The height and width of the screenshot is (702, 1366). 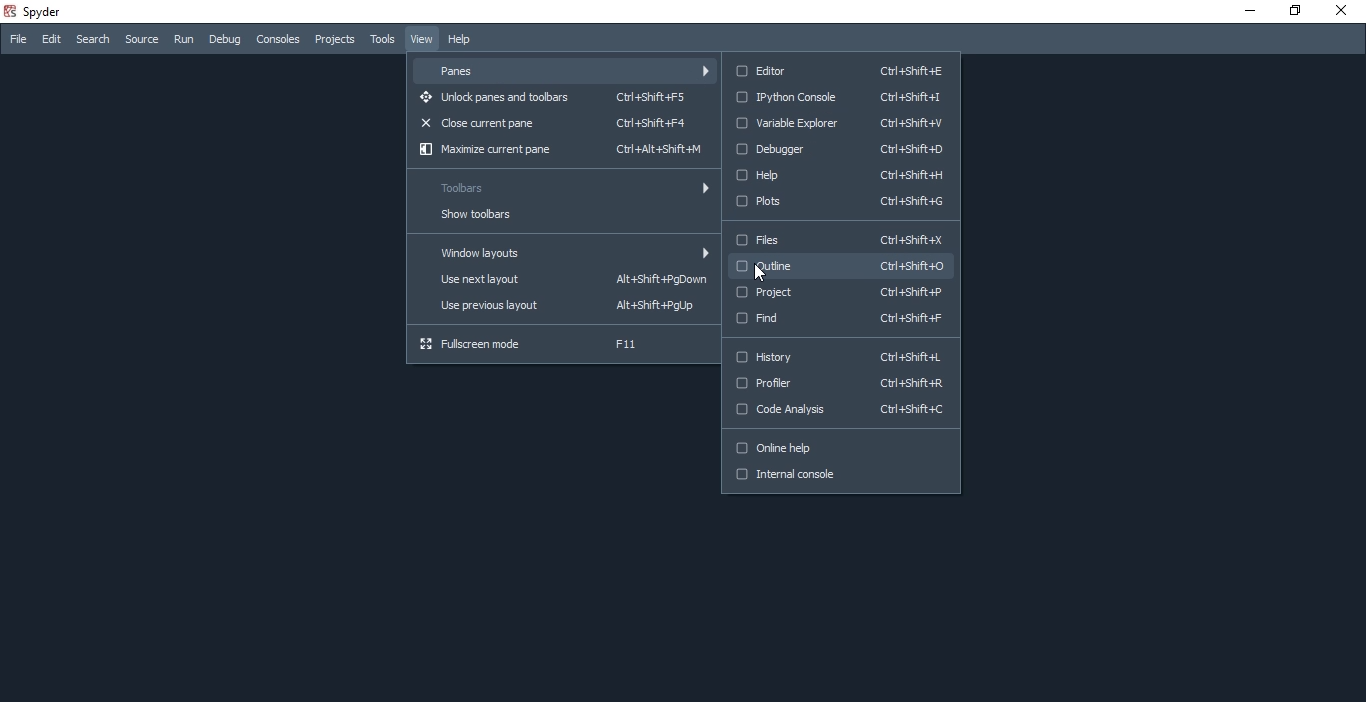 What do you see at coordinates (382, 40) in the screenshot?
I see `Tools` at bounding box center [382, 40].